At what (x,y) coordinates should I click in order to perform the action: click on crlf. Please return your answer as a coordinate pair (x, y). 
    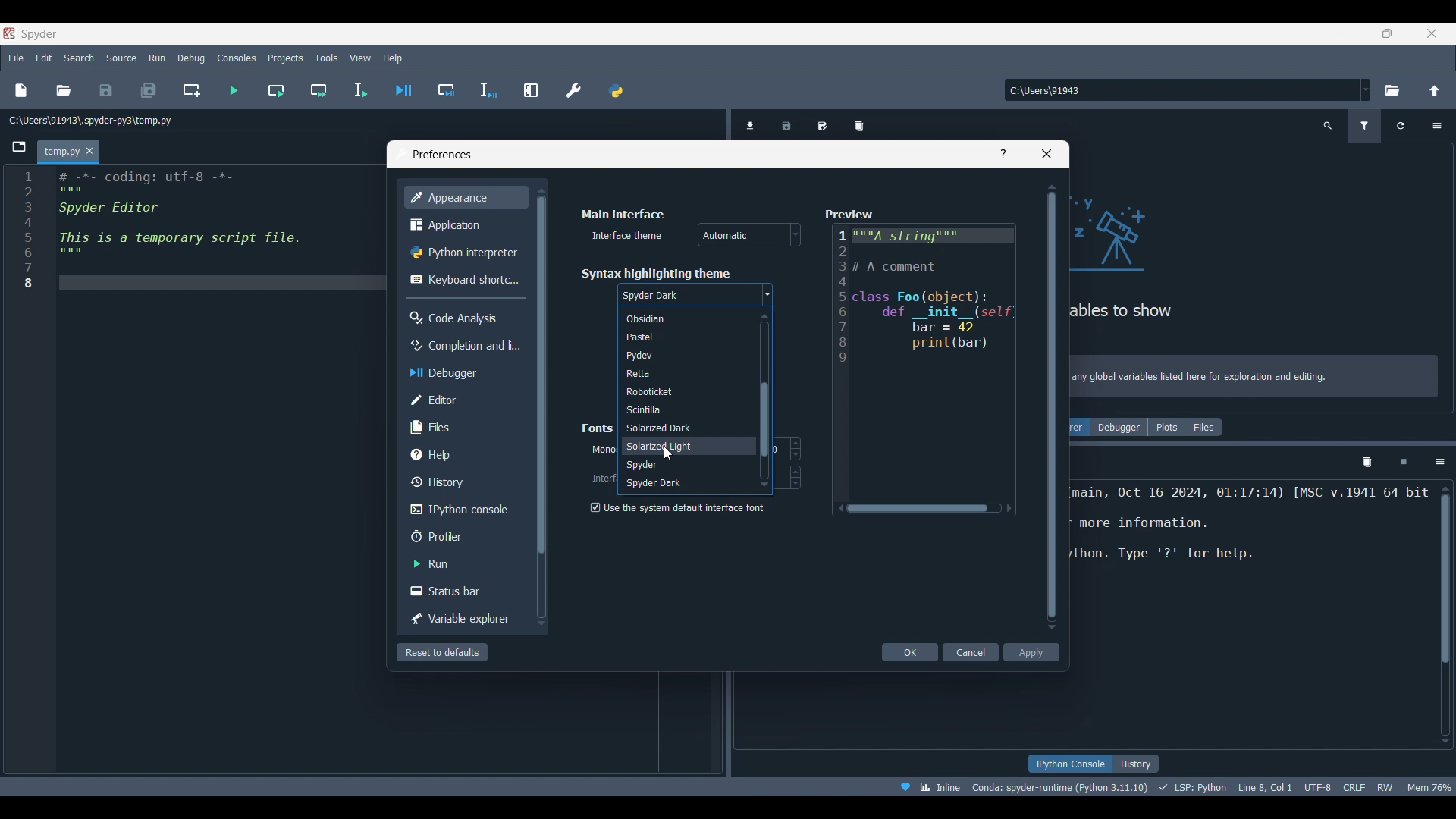
    Looking at the image, I should click on (1352, 787).